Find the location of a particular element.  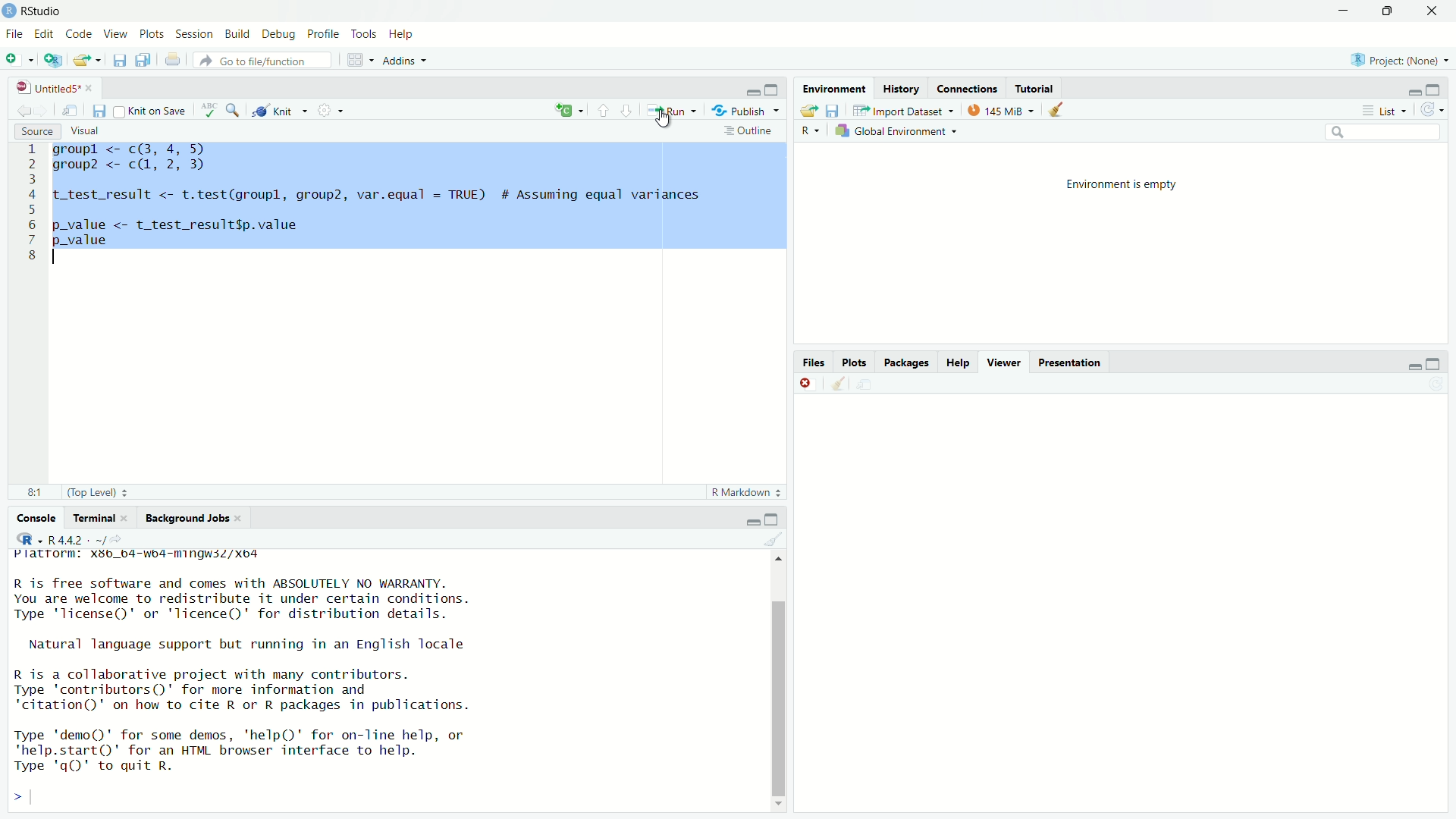

minimise is located at coordinates (1413, 88).